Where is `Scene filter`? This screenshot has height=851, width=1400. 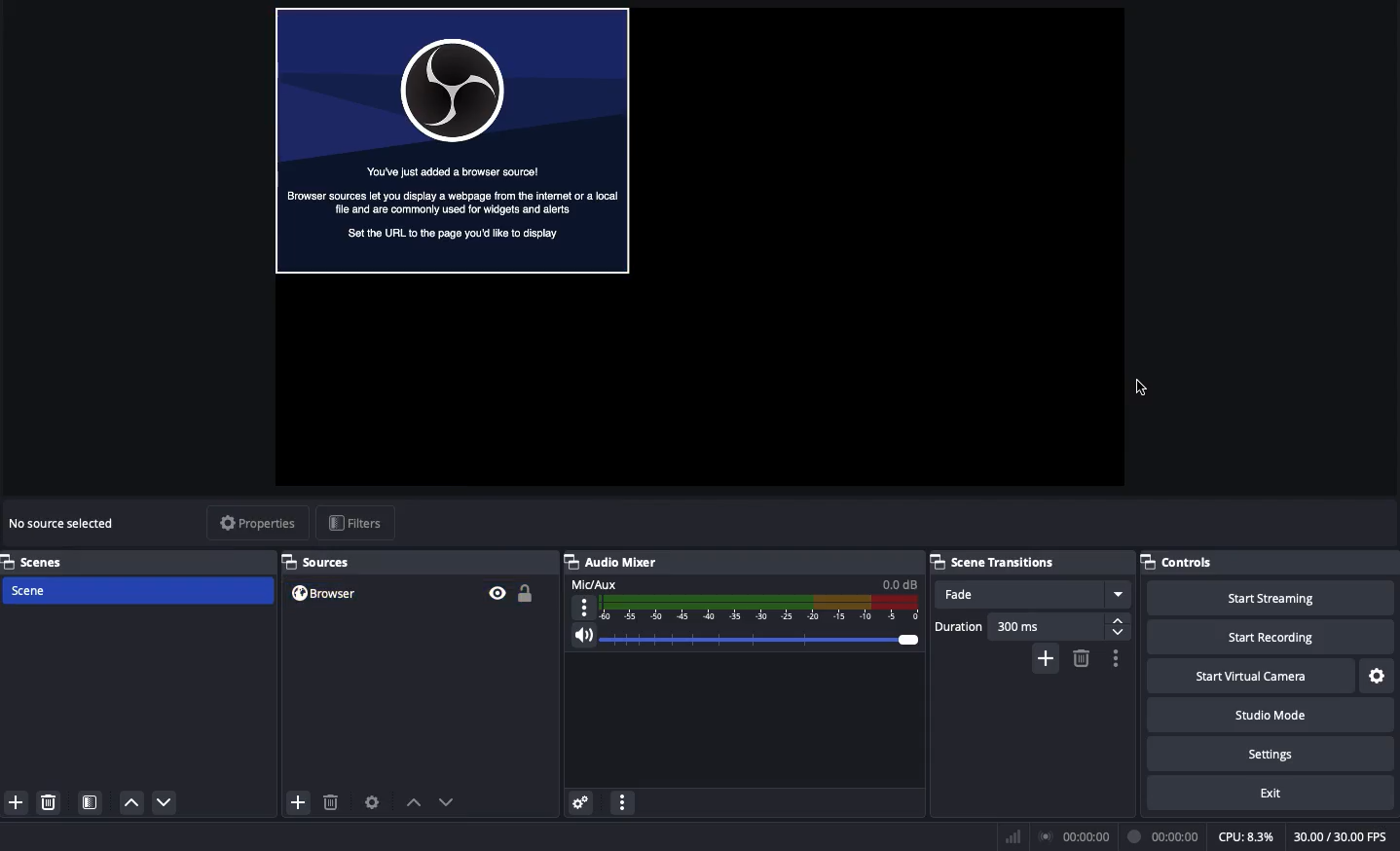 Scene filter is located at coordinates (89, 798).